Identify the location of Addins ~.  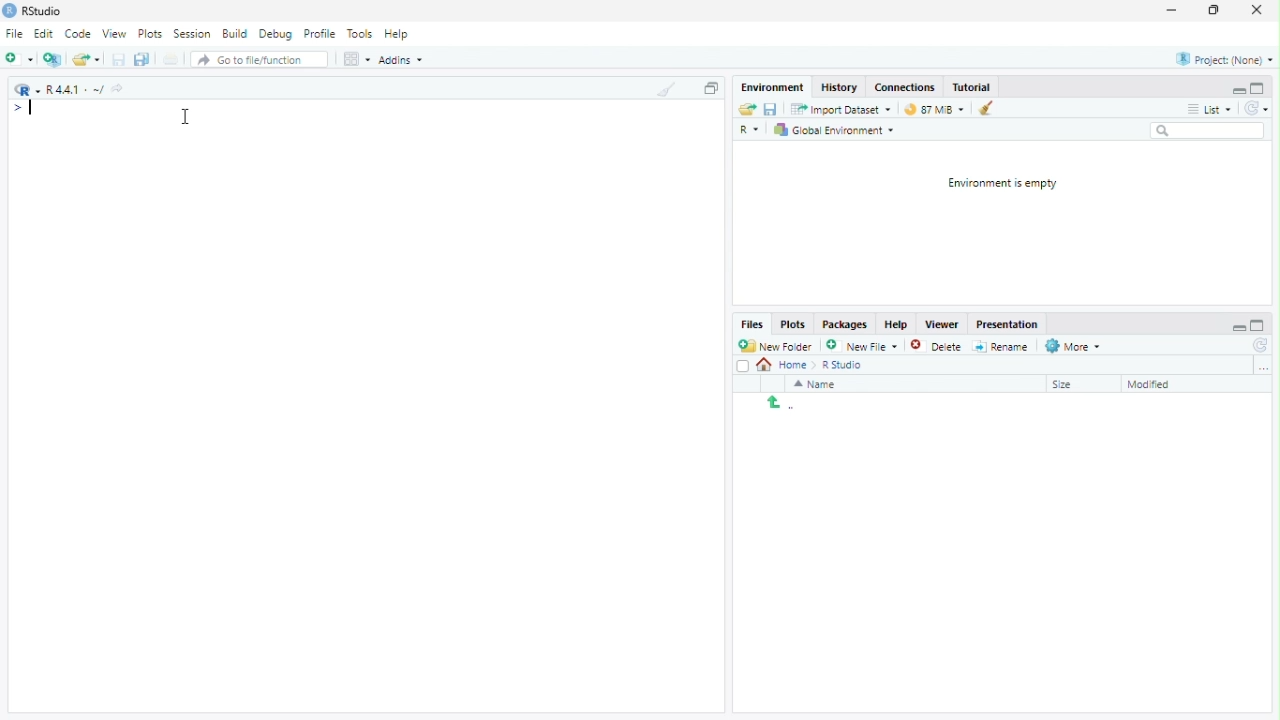
(400, 59).